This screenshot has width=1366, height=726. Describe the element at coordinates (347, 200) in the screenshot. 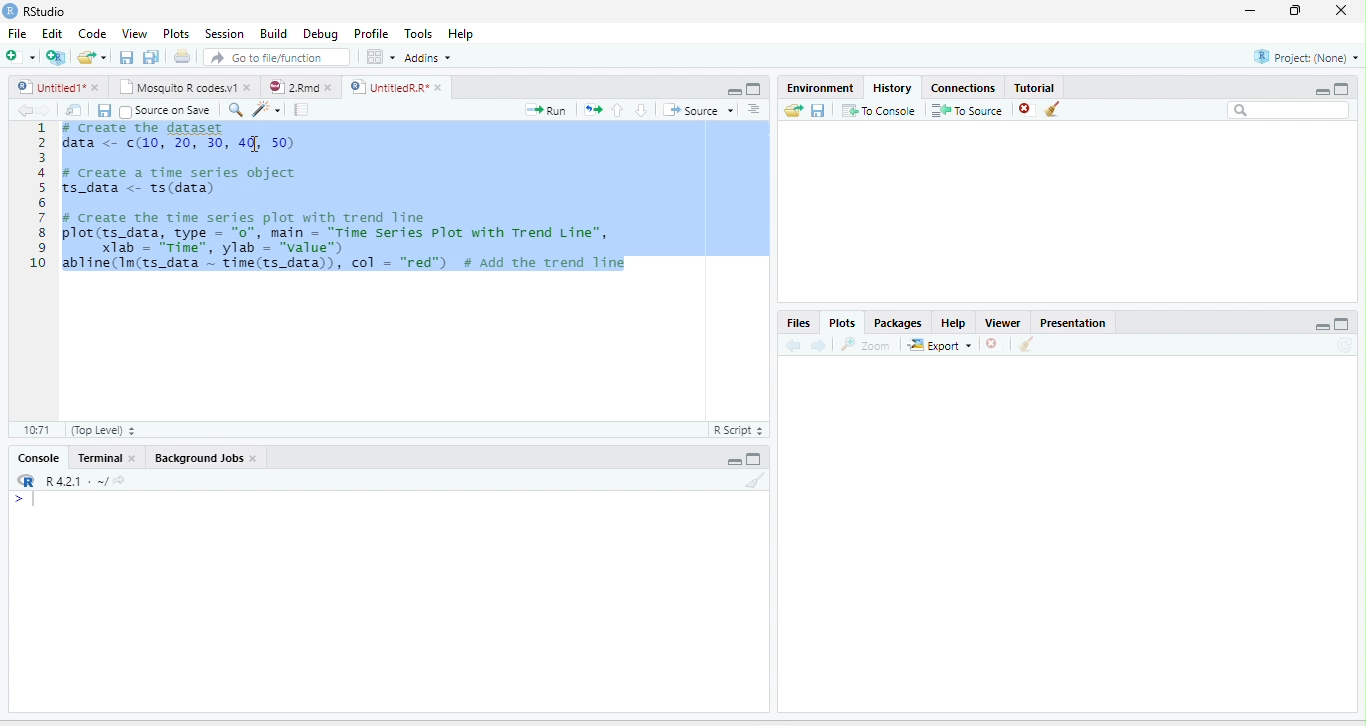

I see `# Create the gataset

data <- (10, 20, 30, 4], 50)

# create a time series object

ts_data <- ts(data)

# create the time series plot with trend line

plot(ts_data, type = “0”, main = "Time series Plot with Trend Line",
X1ab - “rime”, ylab'= “value")

abline(Im(ts_data ~ time(ts_data)), col = "red”) # Add the trend line` at that location.